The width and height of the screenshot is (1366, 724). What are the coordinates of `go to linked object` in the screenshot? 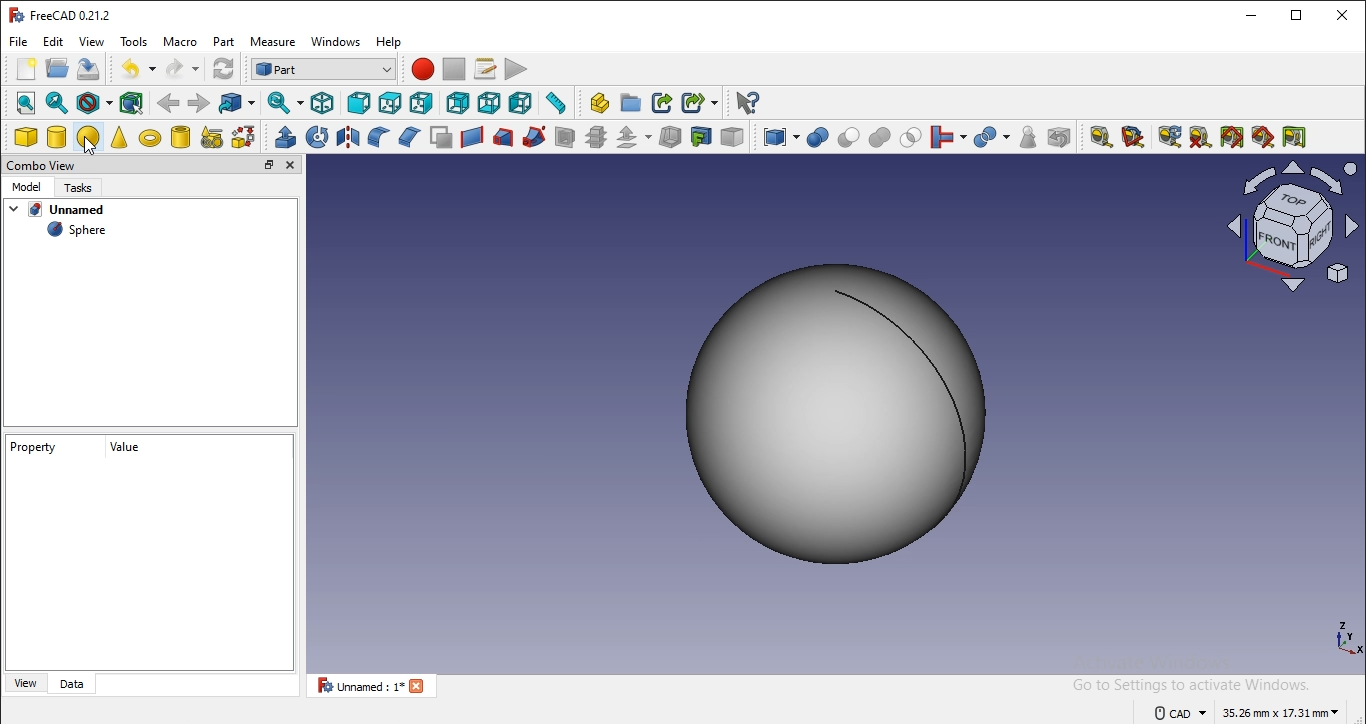 It's located at (236, 103).